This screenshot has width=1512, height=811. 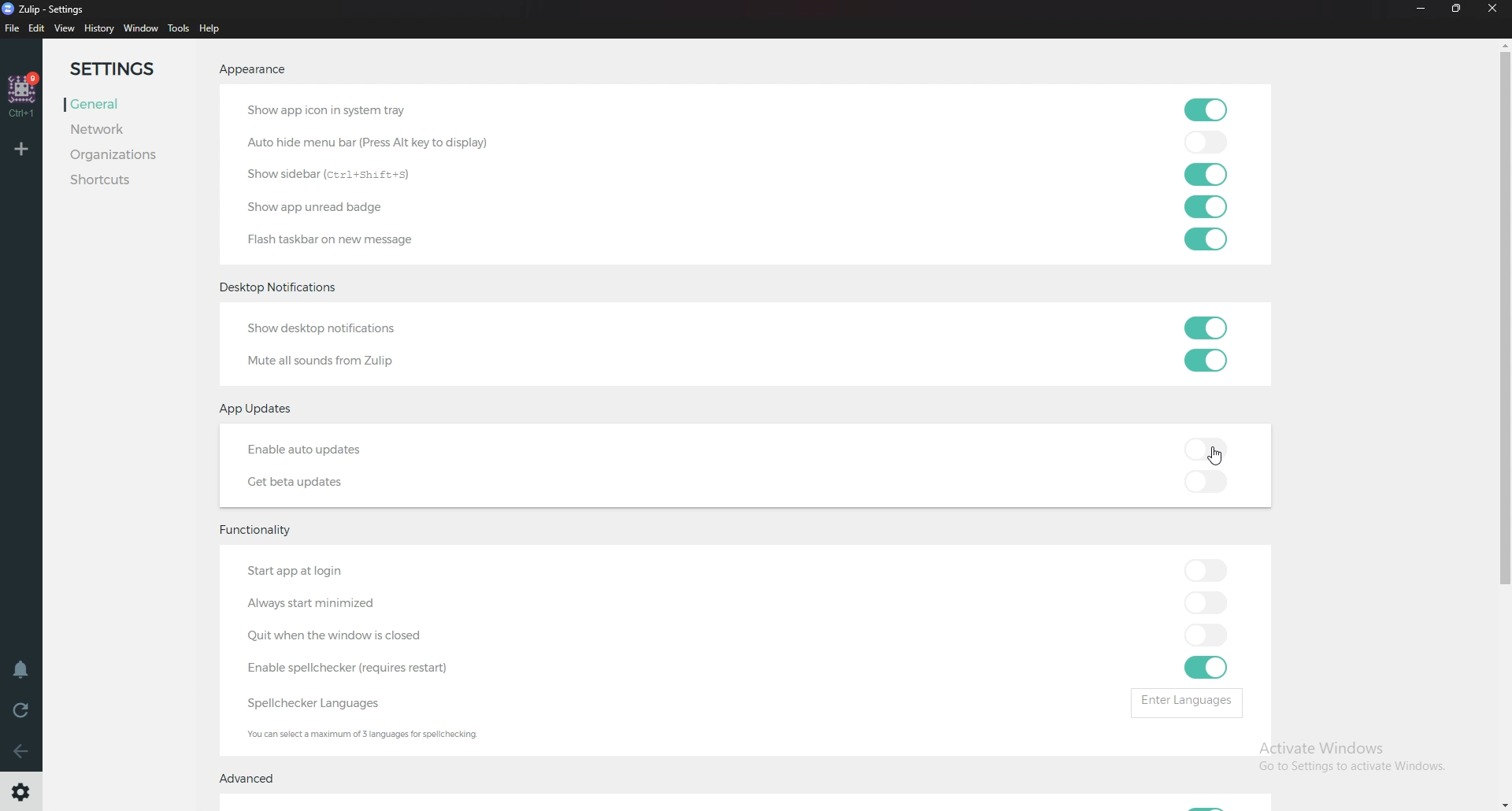 What do you see at coordinates (1217, 459) in the screenshot?
I see `Cursor` at bounding box center [1217, 459].